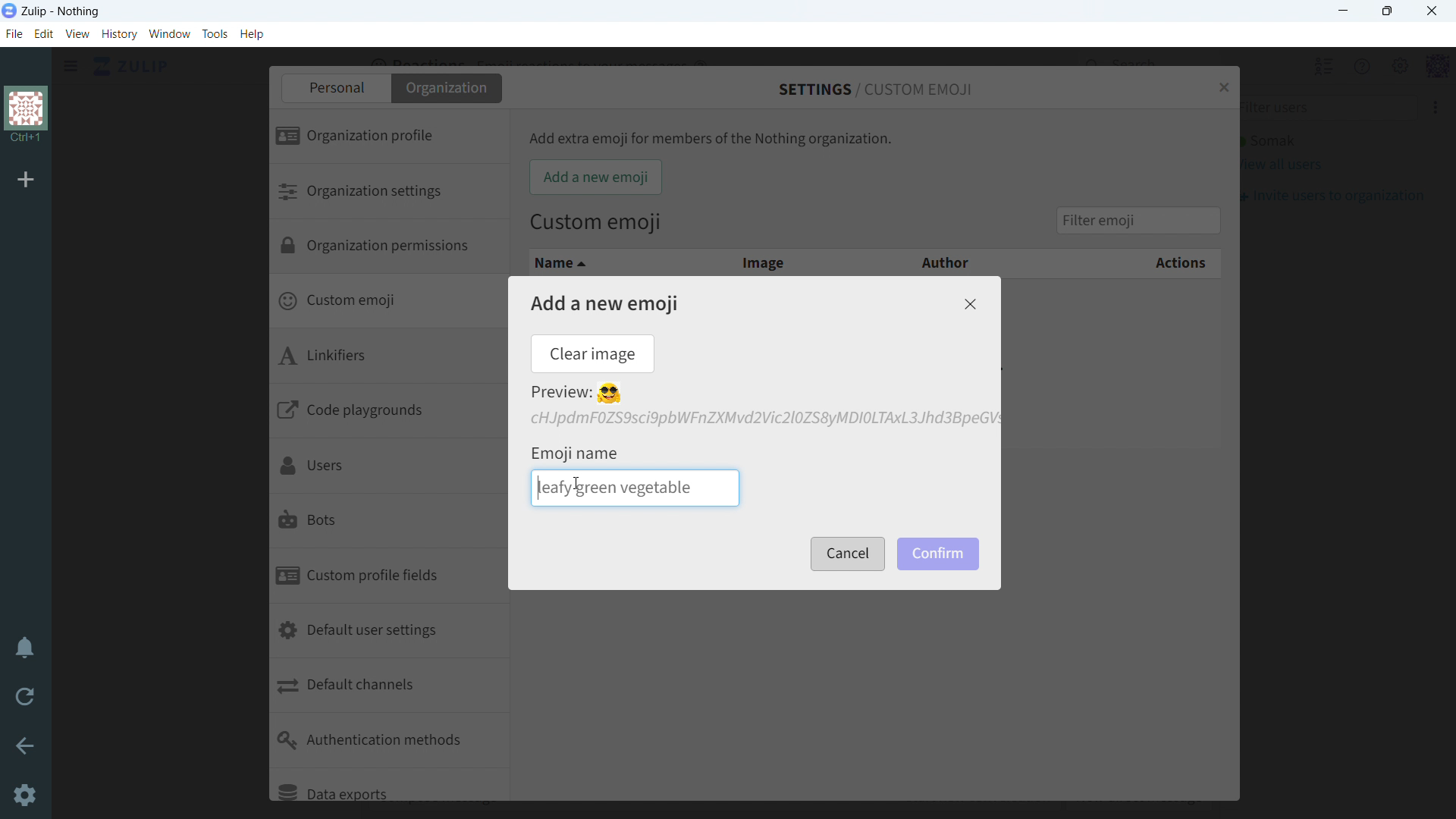 Image resolution: width=1456 pixels, height=819 pixels. Describe the element at coordinates (1345, 11) in the screenshot. I see `minimize` at that location.